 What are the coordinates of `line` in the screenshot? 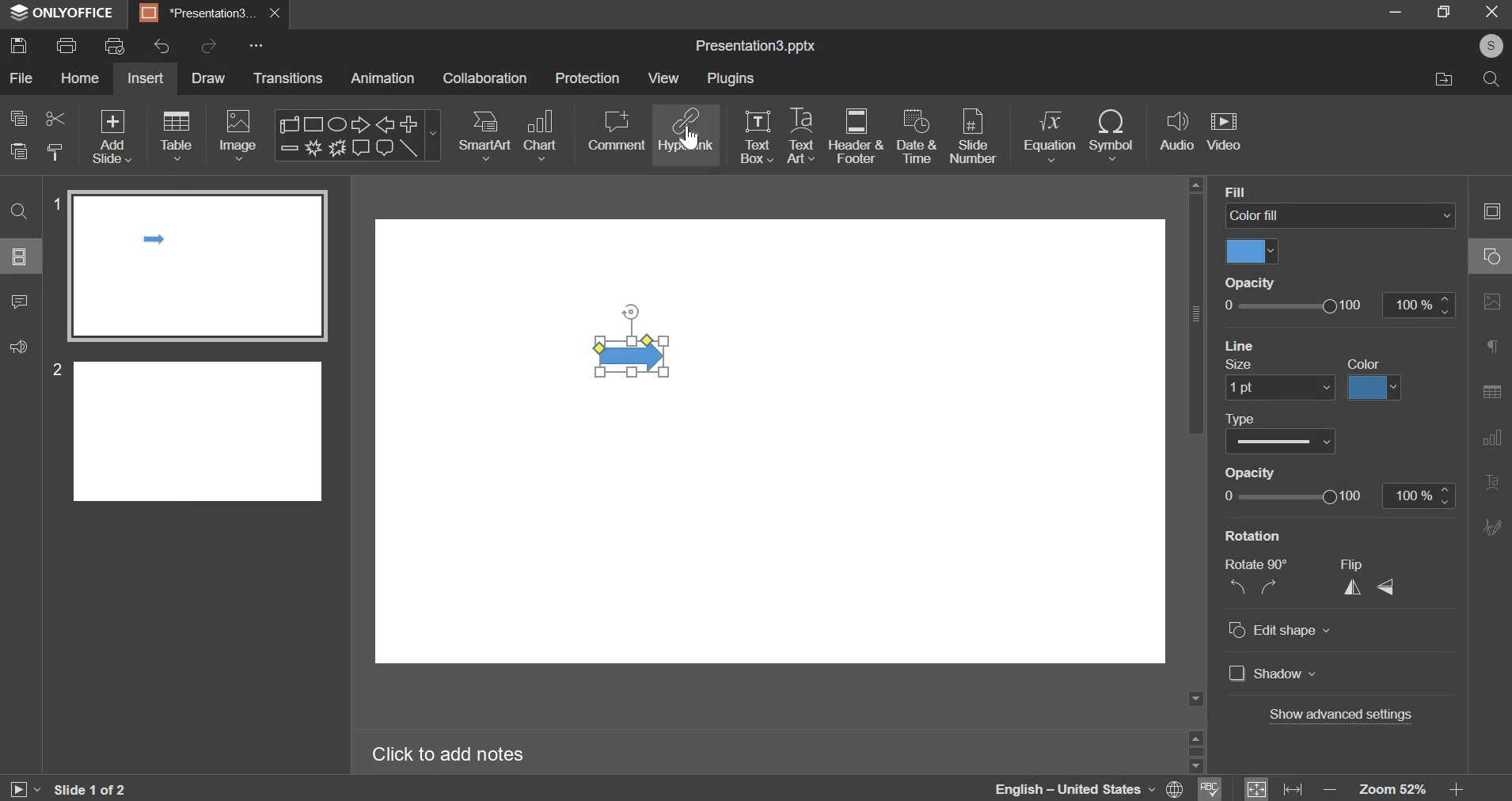 It's located at (409, 148).